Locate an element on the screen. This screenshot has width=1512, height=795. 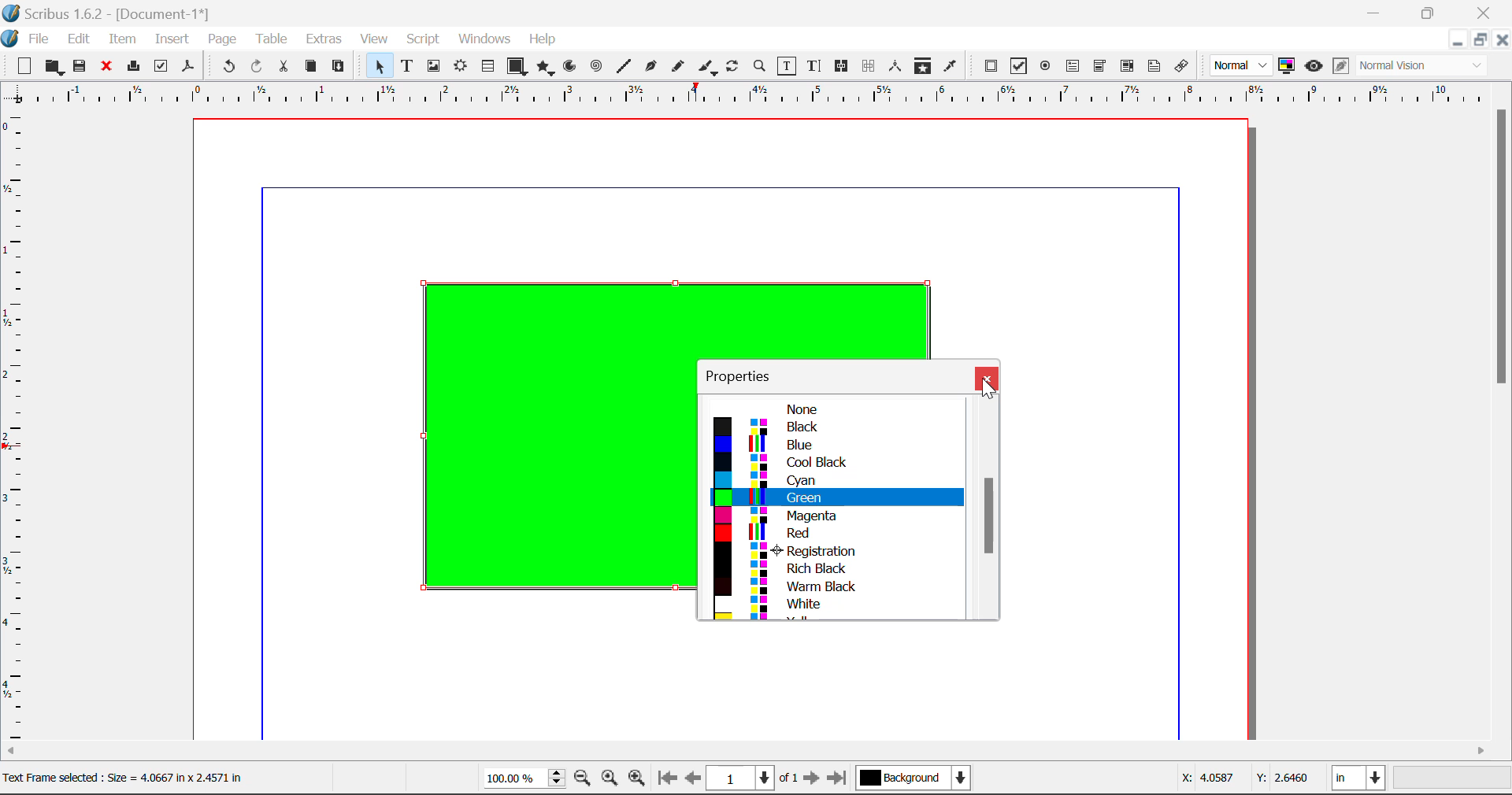
Line is located at coordinates (624, 66).